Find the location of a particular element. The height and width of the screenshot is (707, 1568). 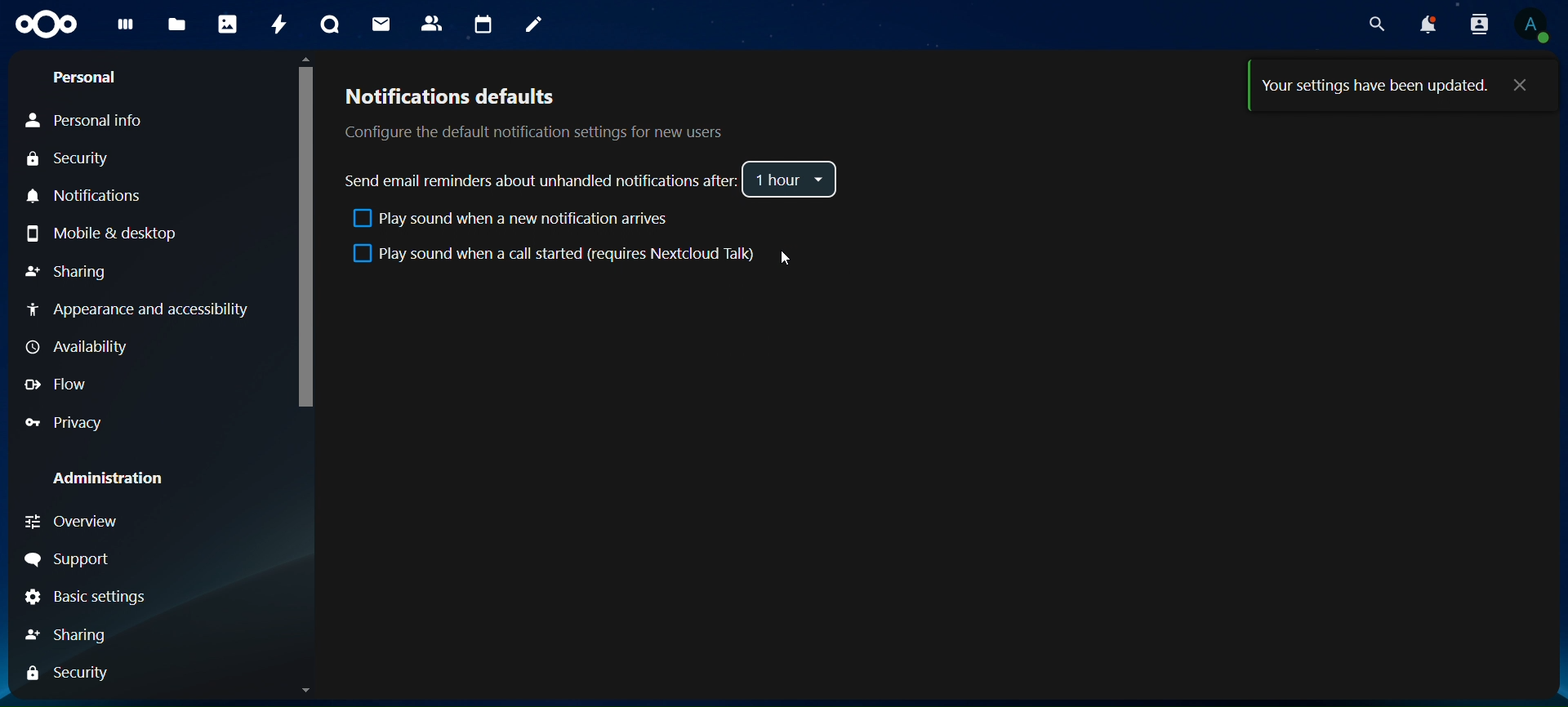

Cursor is located at coordinates (777, 257).